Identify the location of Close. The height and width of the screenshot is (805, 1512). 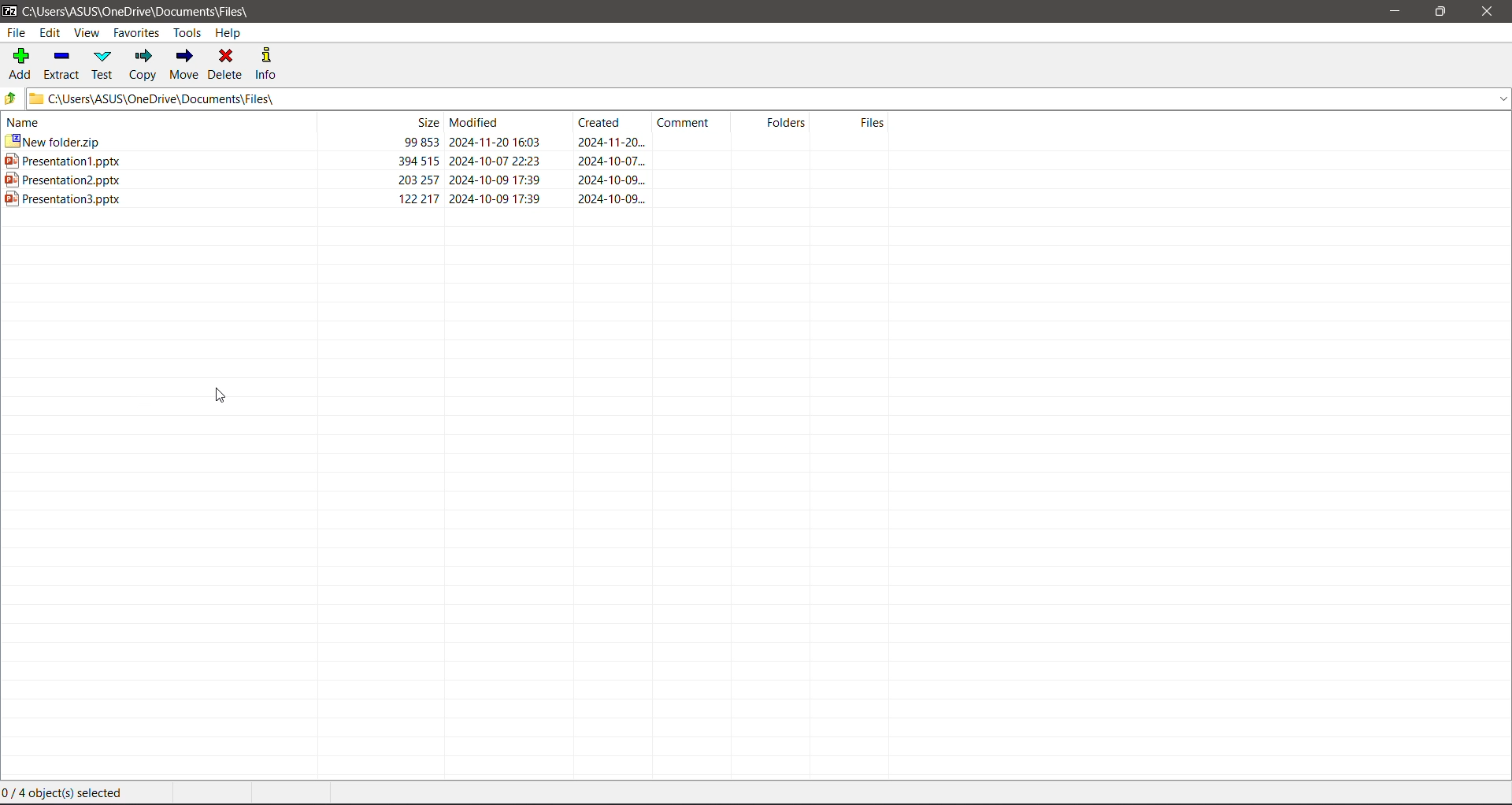
(1488, 12).